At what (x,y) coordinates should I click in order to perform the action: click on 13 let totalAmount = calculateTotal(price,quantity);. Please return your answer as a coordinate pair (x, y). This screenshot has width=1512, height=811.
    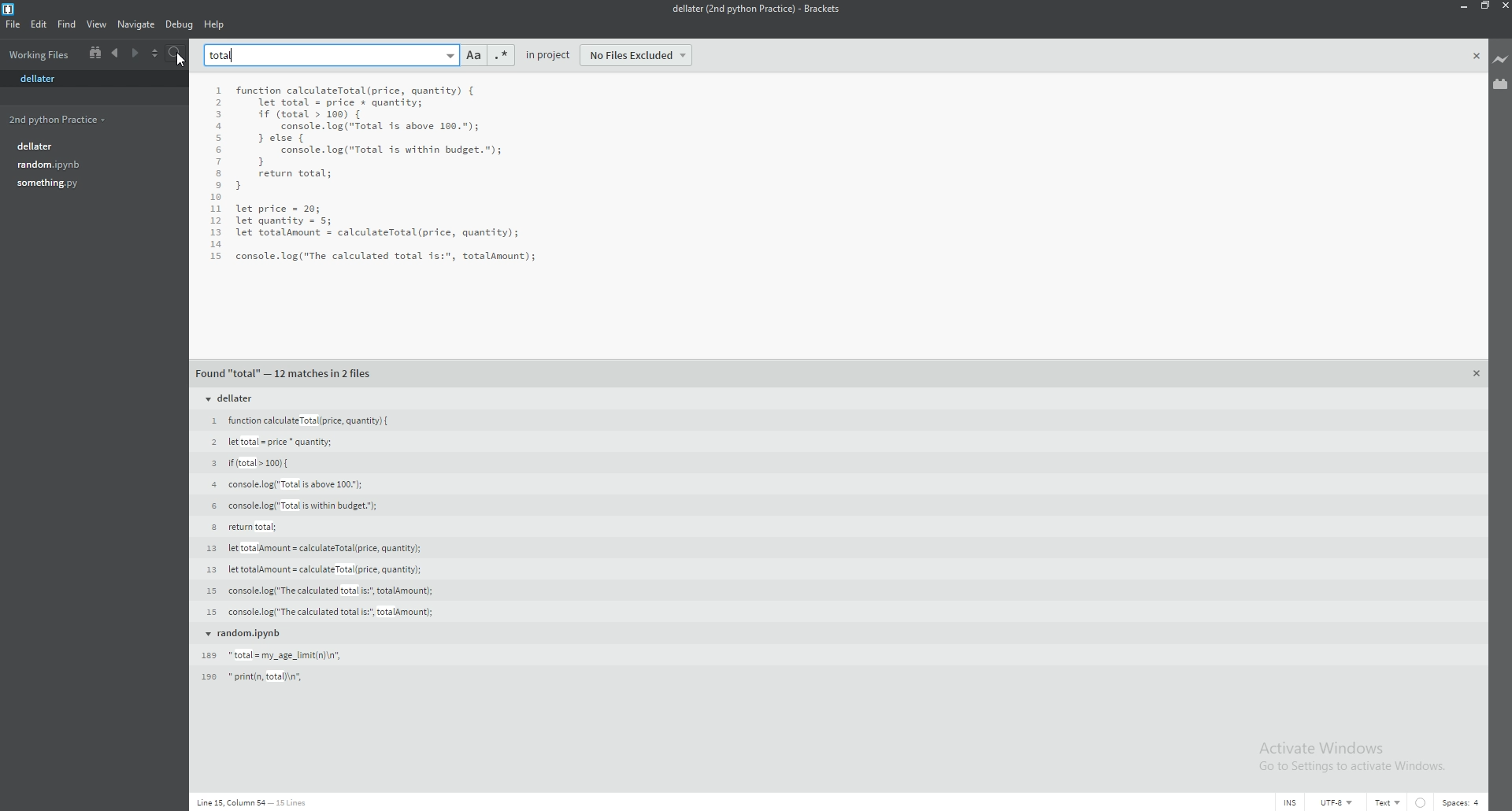
    Looking at the image, I should click on (313, 548).